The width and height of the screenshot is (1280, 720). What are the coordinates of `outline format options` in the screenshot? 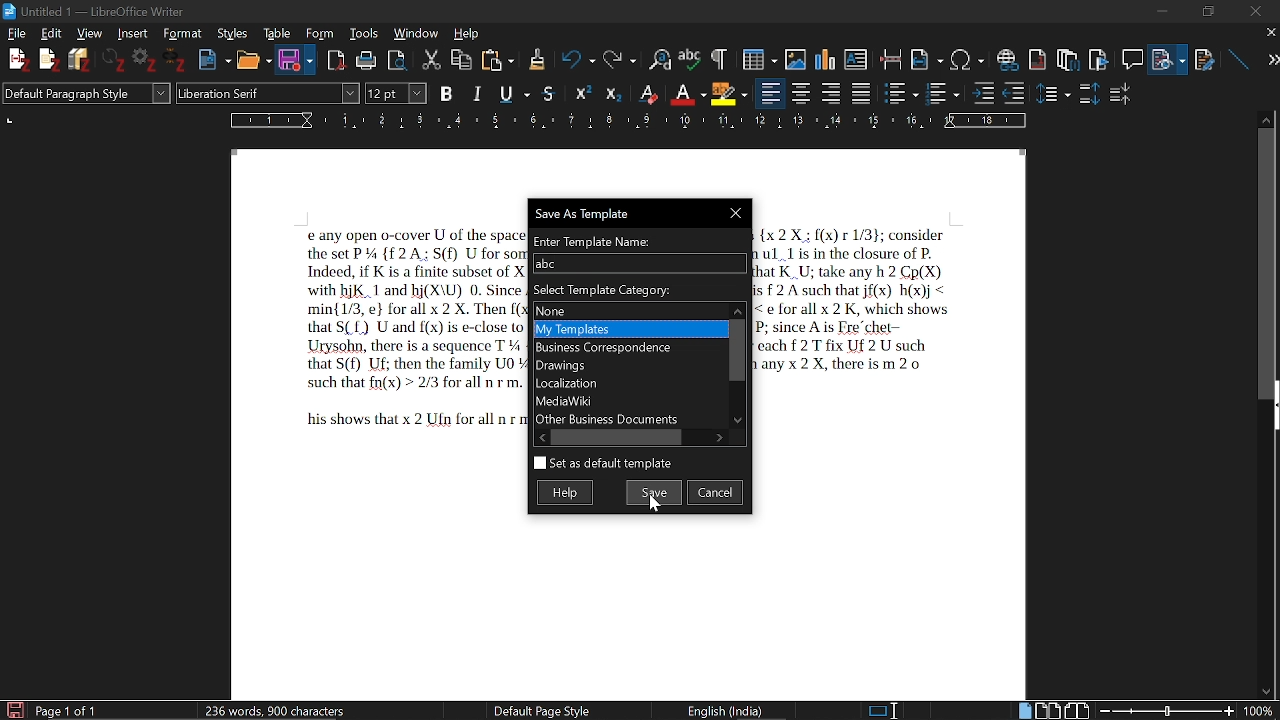 It's located at (1019, 93).